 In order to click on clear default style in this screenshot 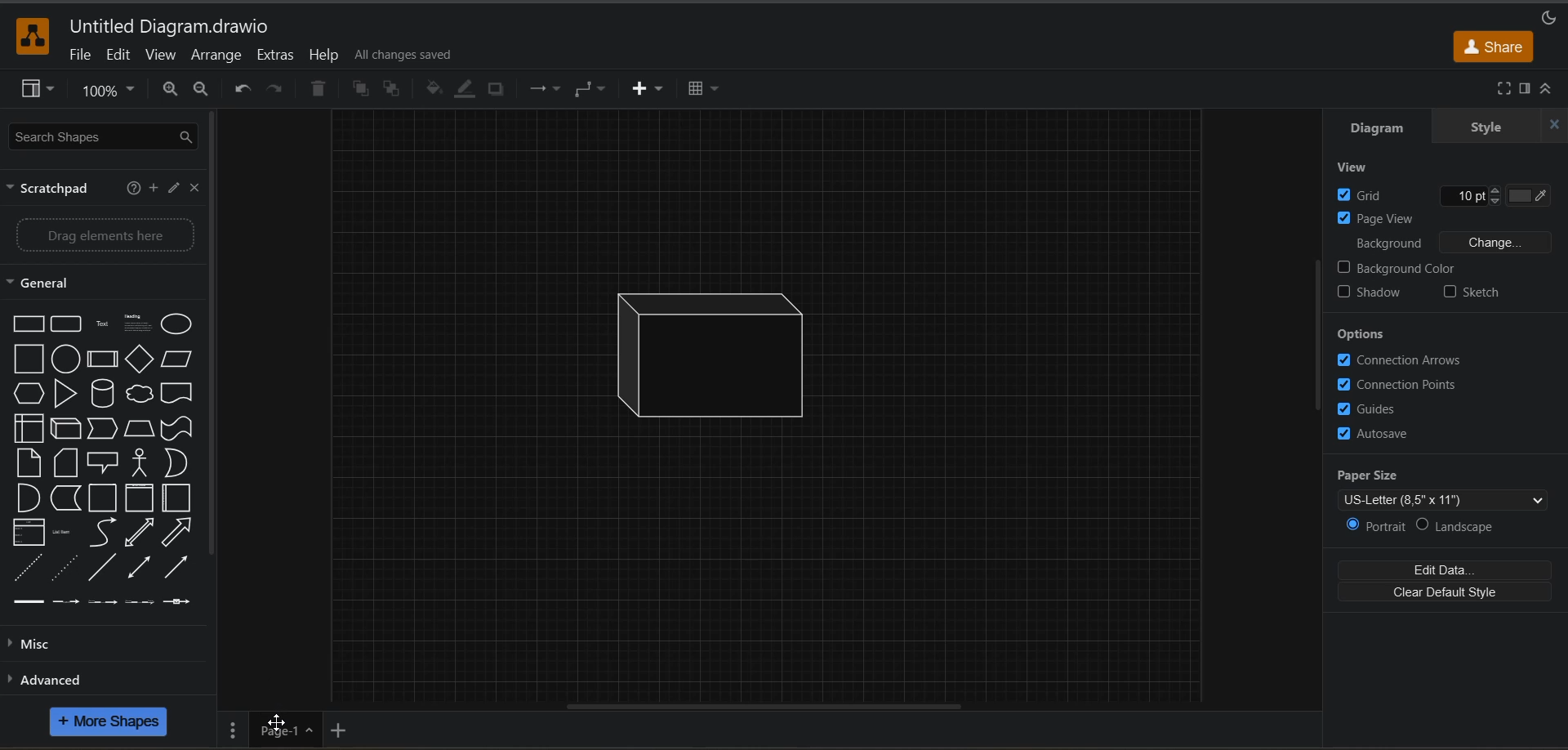, I will do `click(1445, 594)`.